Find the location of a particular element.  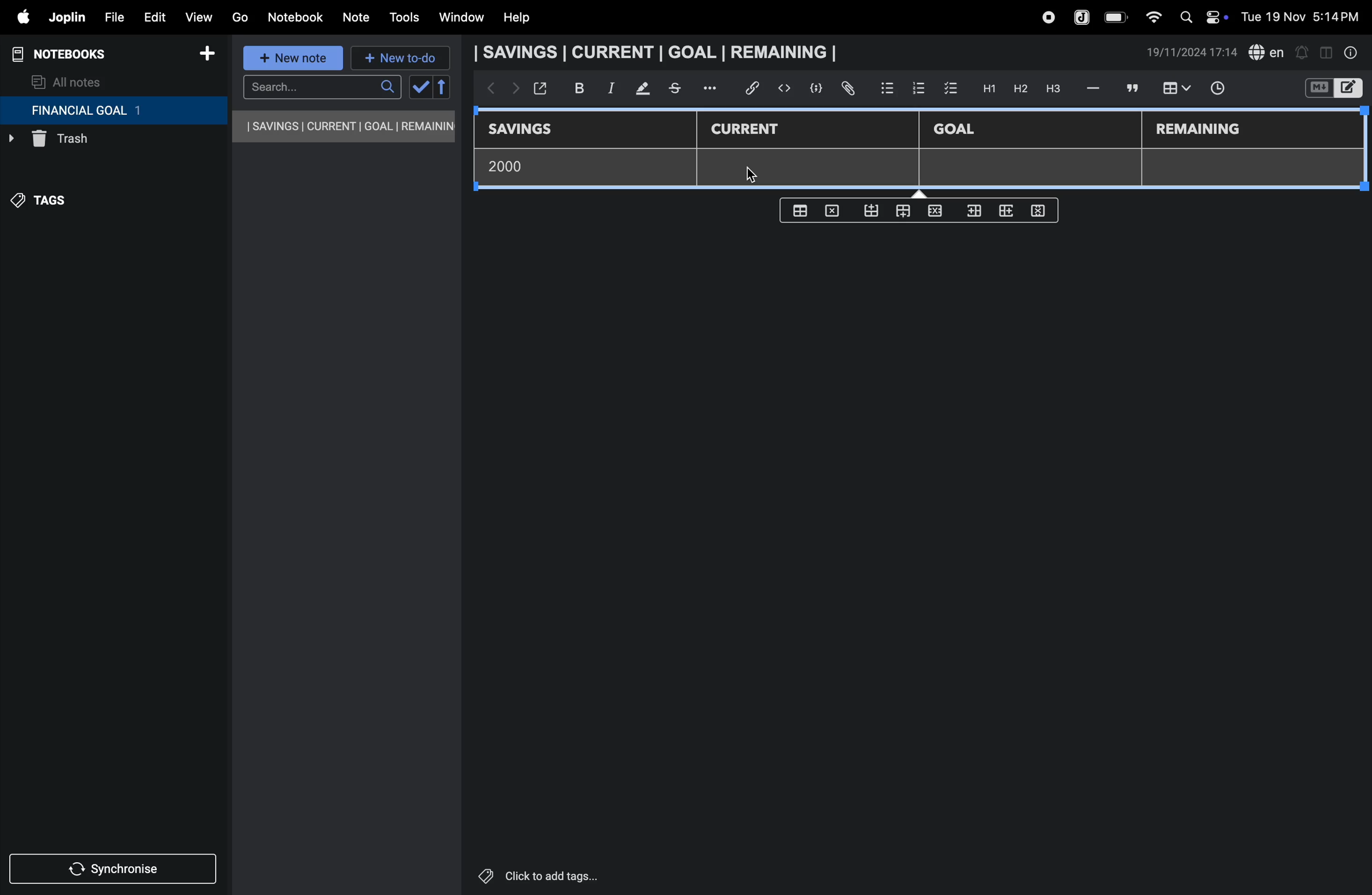

hifen is located at coordinates (1095, 88).